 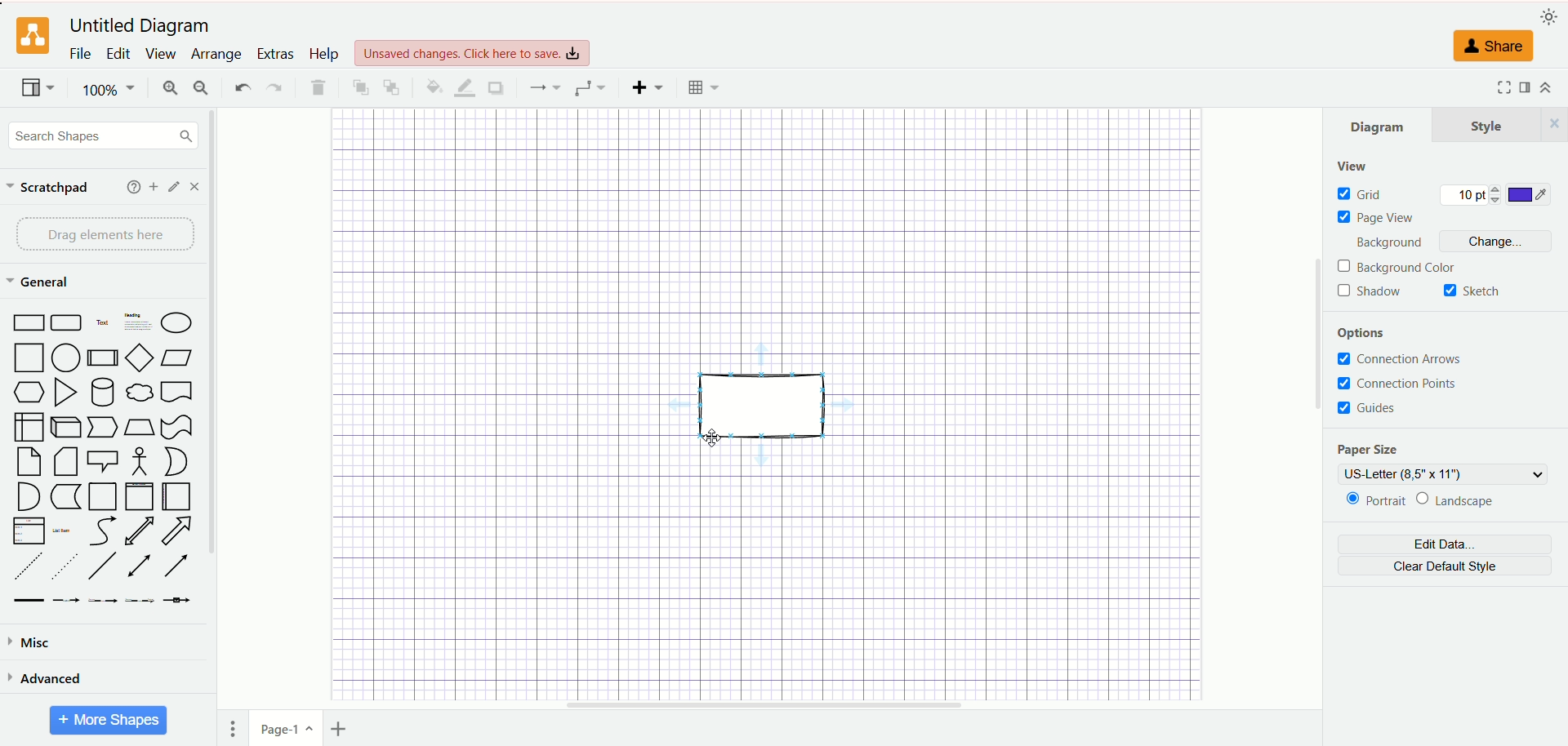 What do you see at coordinates (40, 282) in the screenshot?
I see `general` at bounding box center [40, 282].